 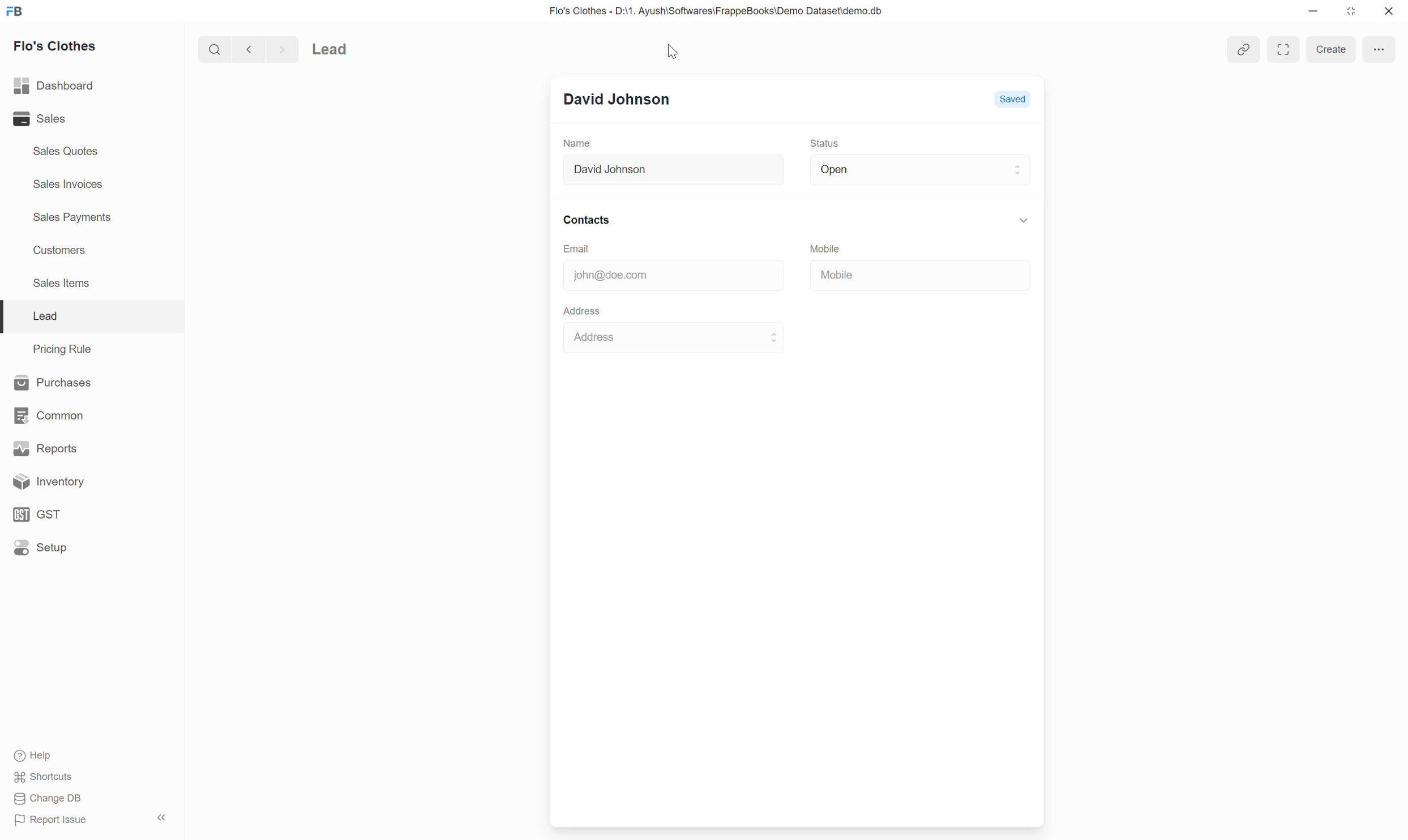 What do you see at coordinates (161, 817) in the screenshot?
I see `Hide sidebar` at bounding box center [161, 817].